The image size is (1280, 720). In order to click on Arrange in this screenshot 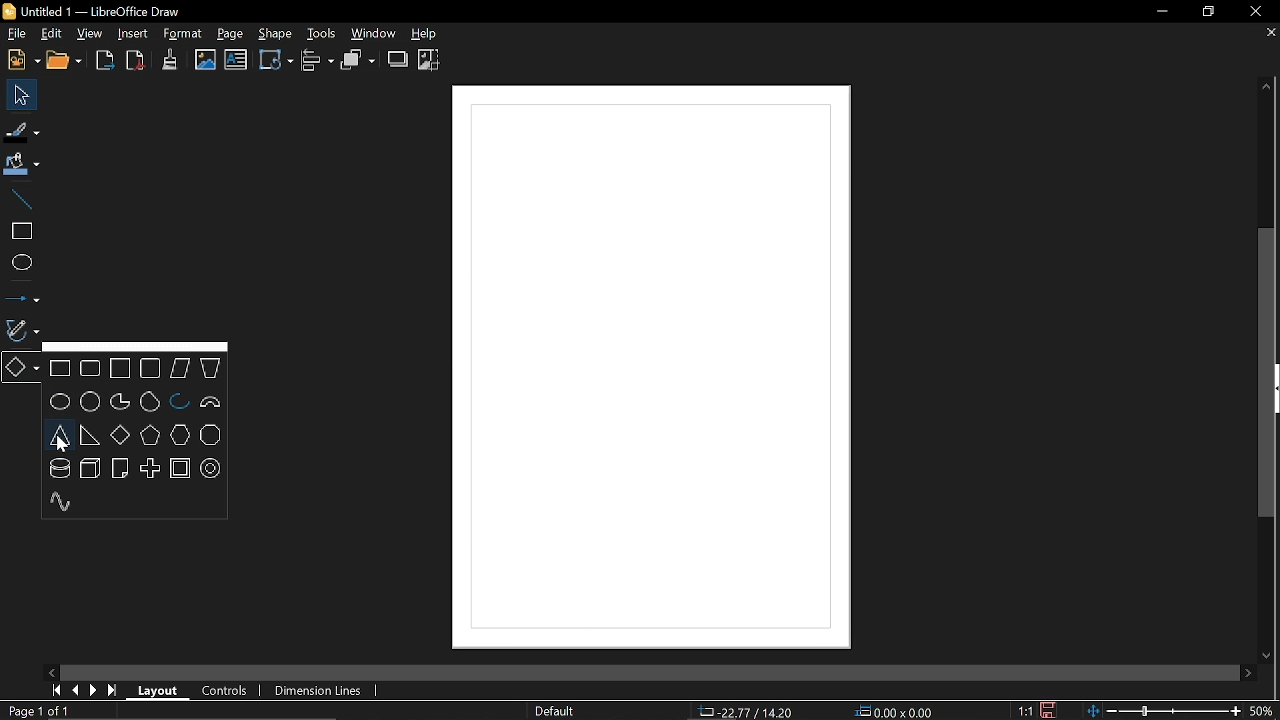, I will do `click(358, 60)`.